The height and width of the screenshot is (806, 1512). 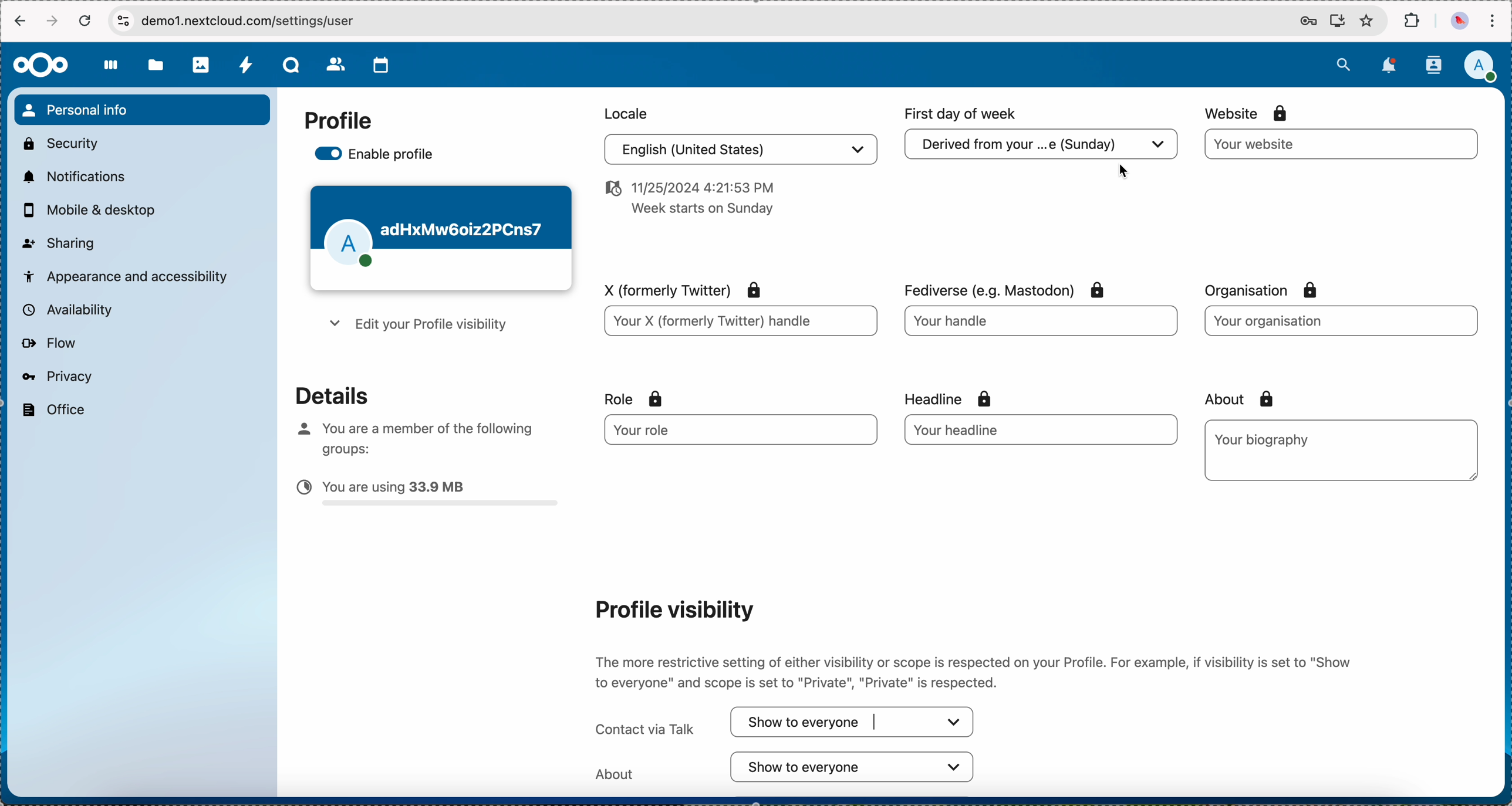 I want to click on security, so click(x=59, y=142).